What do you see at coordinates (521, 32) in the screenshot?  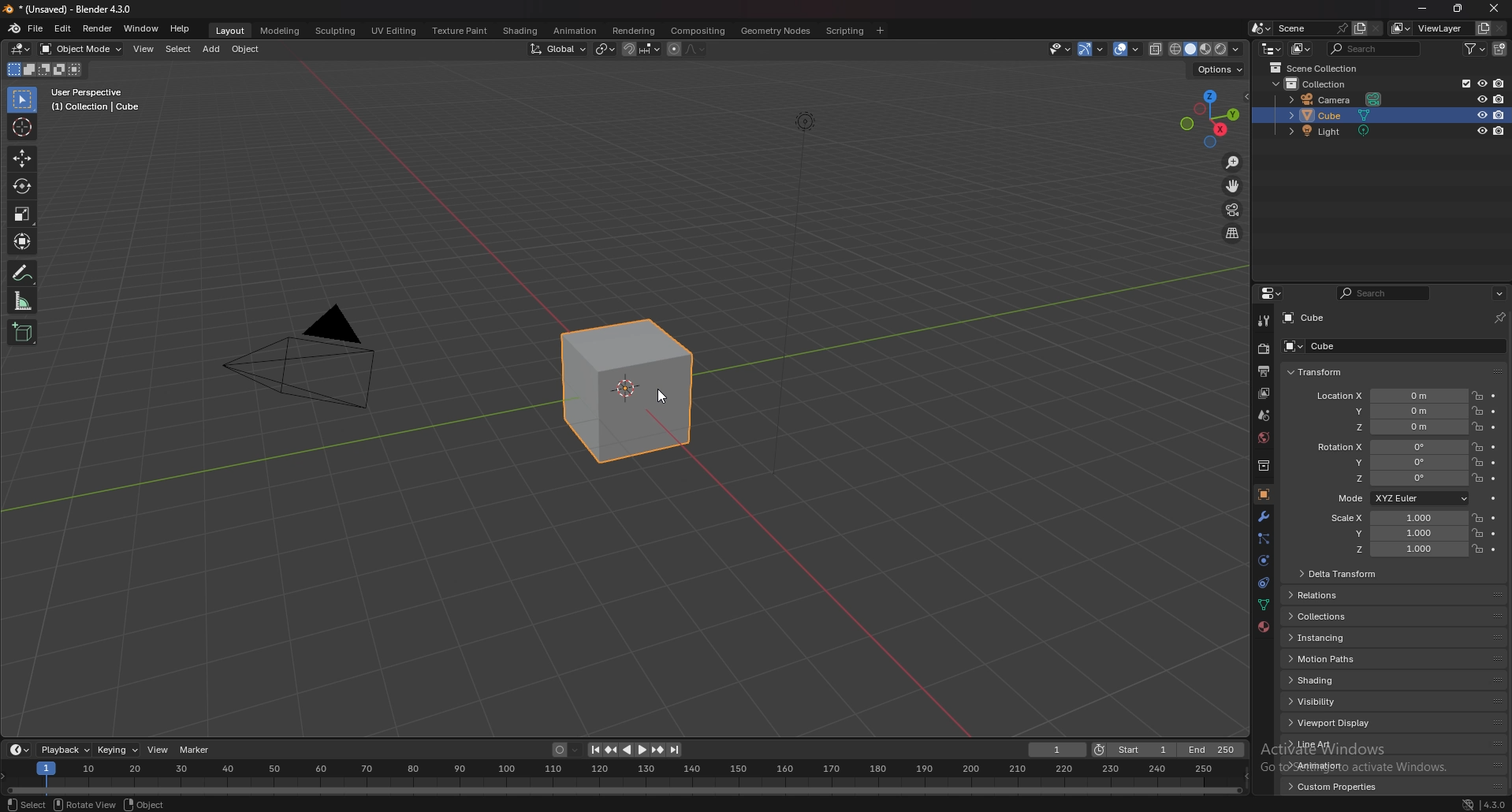 I see `shading` at bounding box center [521, 32].